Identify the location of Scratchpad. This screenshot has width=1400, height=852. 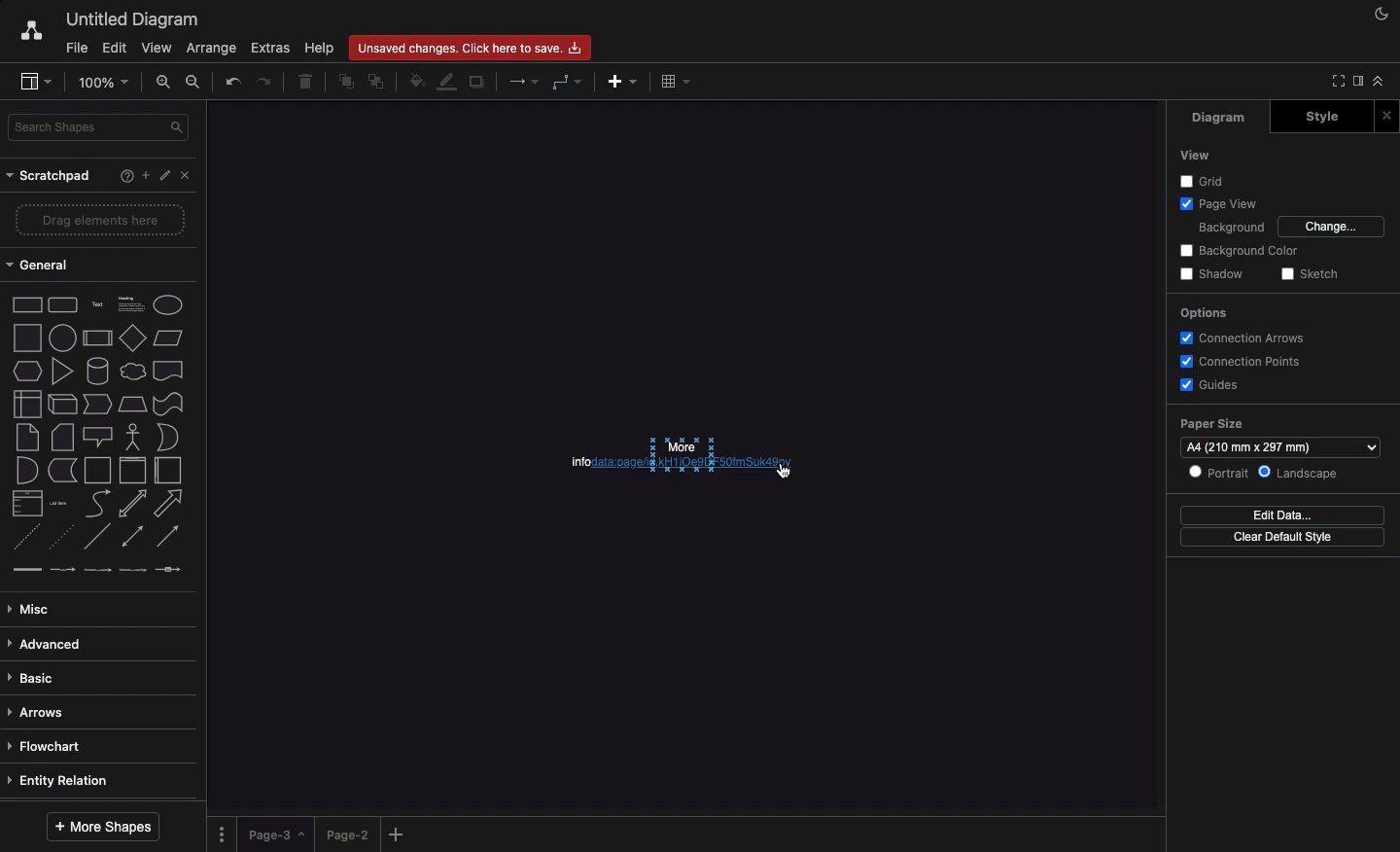
(52, 177).